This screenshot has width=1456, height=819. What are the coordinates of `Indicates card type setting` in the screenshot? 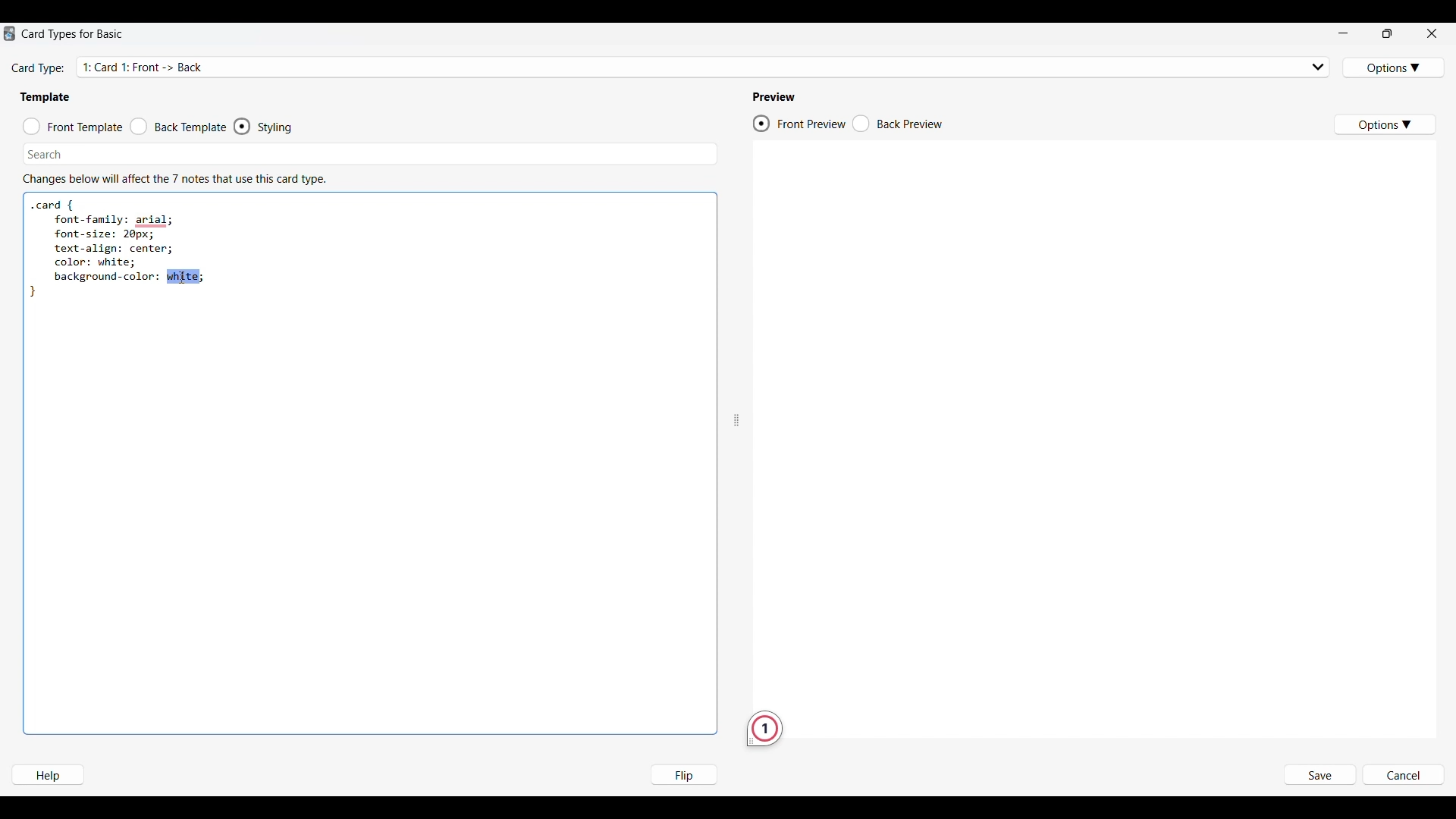 It's located at (39, 69).